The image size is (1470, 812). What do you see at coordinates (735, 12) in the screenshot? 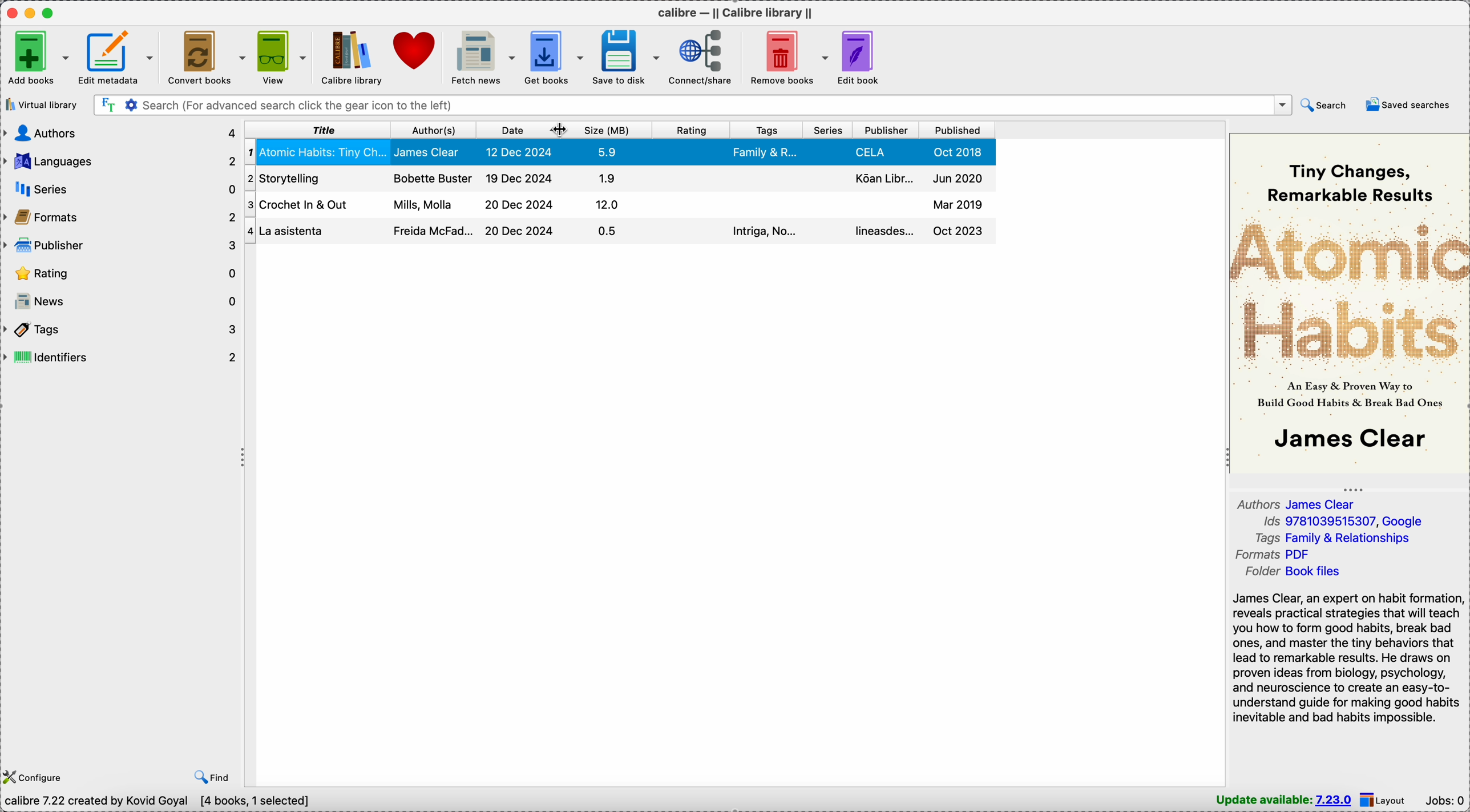
I see `Calibre - || Calibre library ||` at bounding box center [735, 12].